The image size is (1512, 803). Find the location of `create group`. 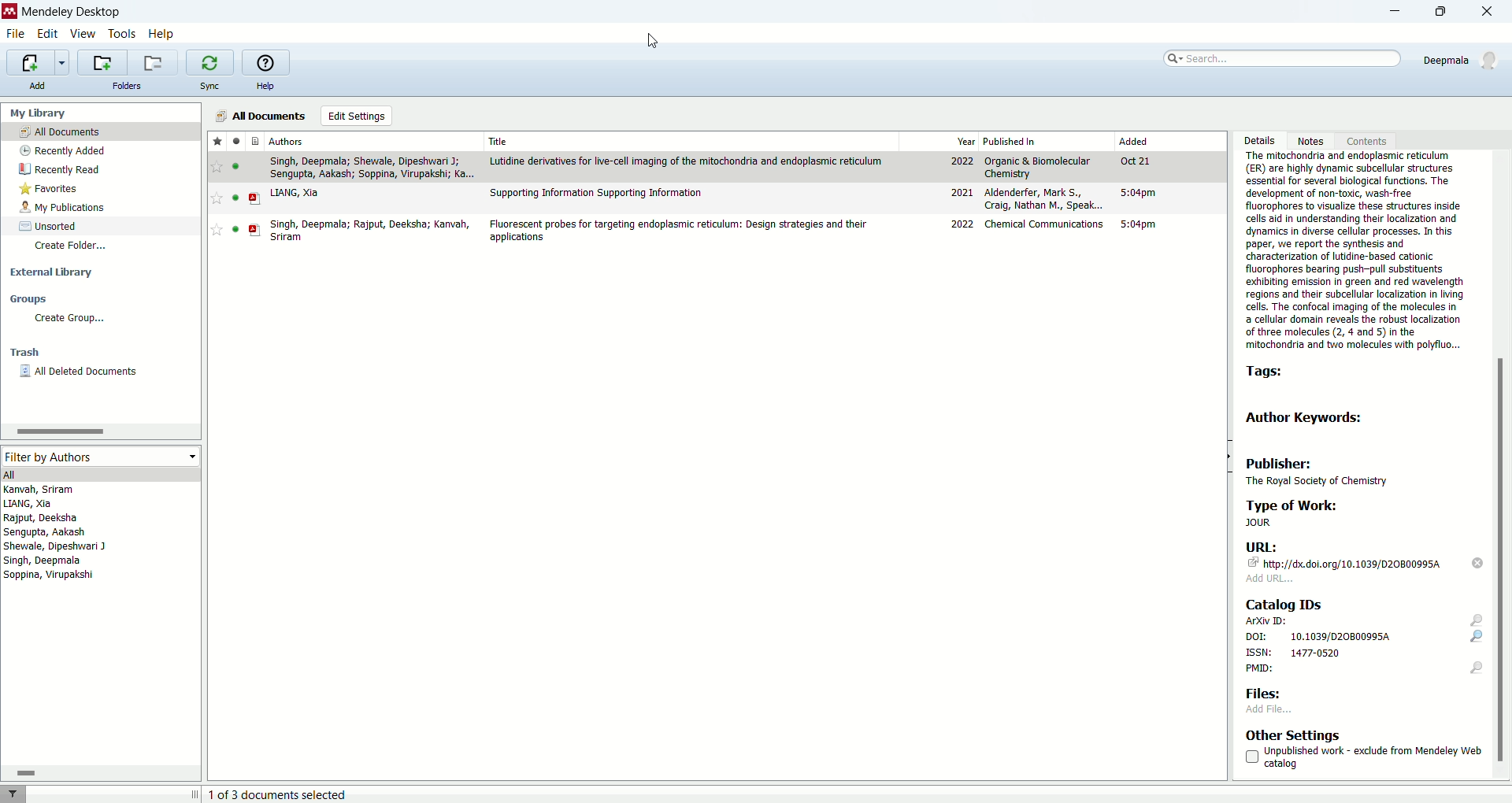

create group is located at coordinates (71, 318).